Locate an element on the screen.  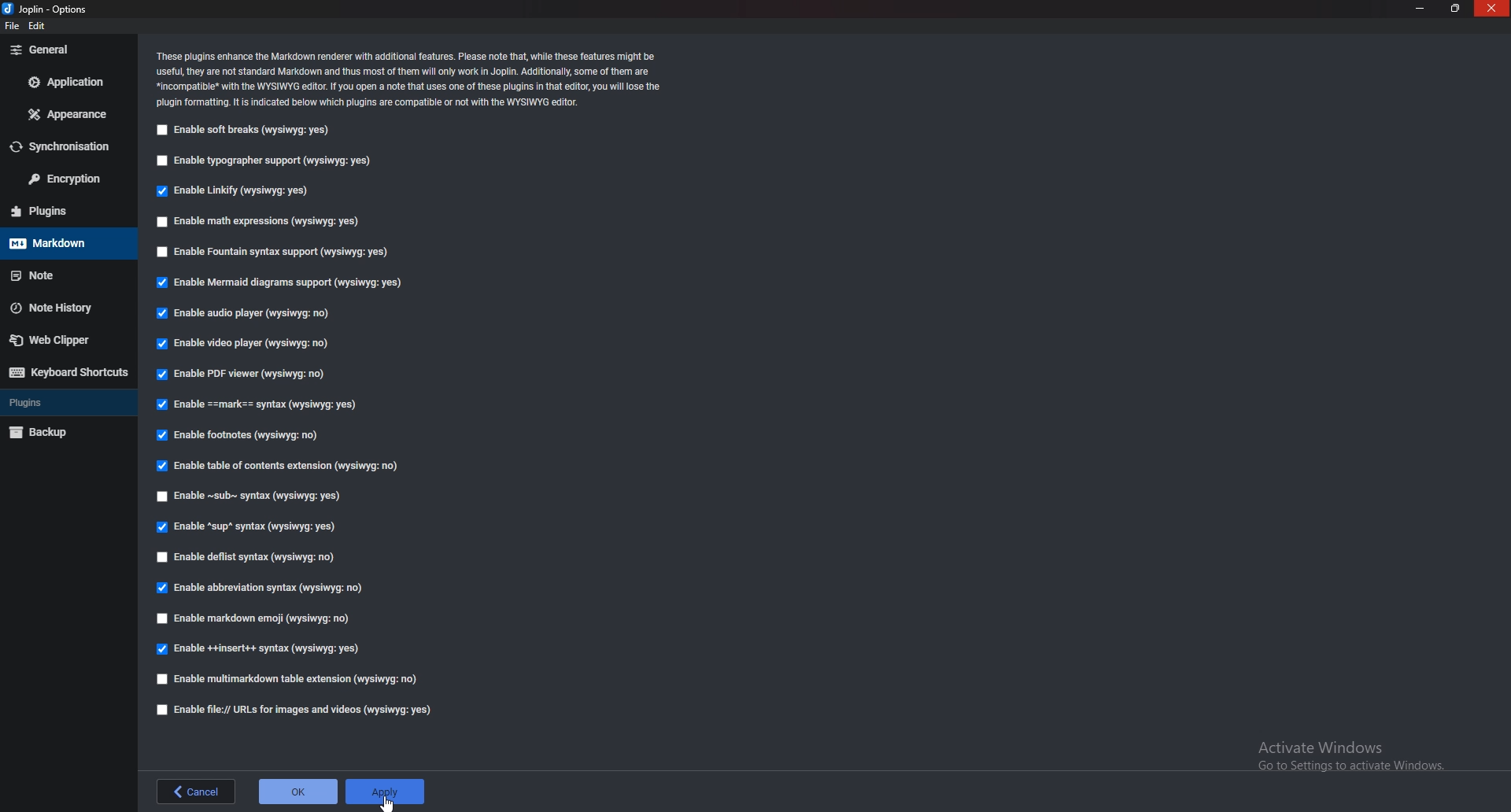
Resize is located at coordinates (1454, 8).